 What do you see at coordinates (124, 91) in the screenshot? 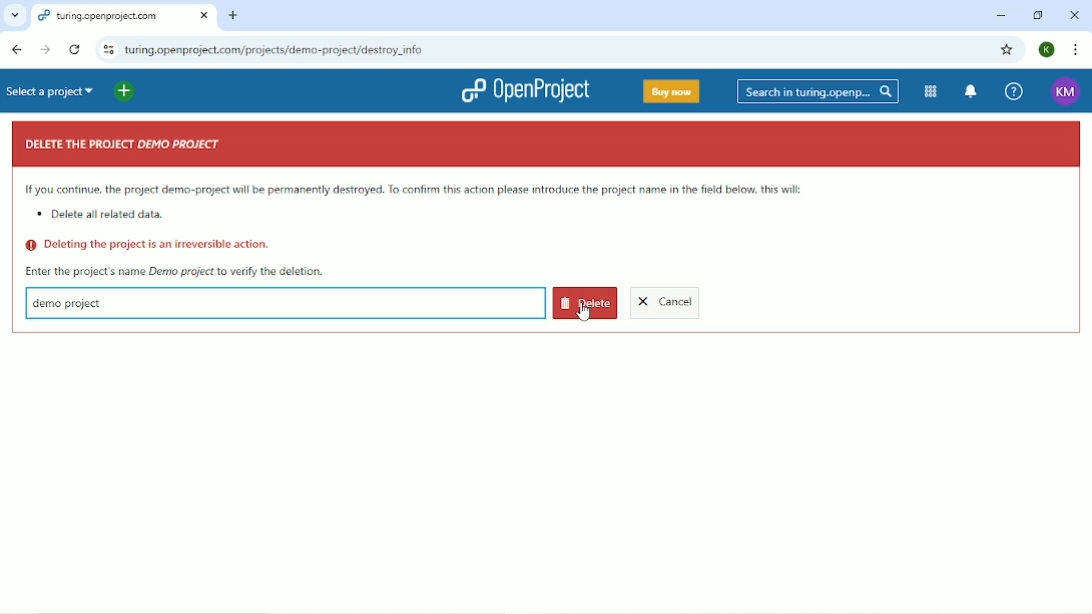
I see `Add new project` at bounding box center [124, 91].